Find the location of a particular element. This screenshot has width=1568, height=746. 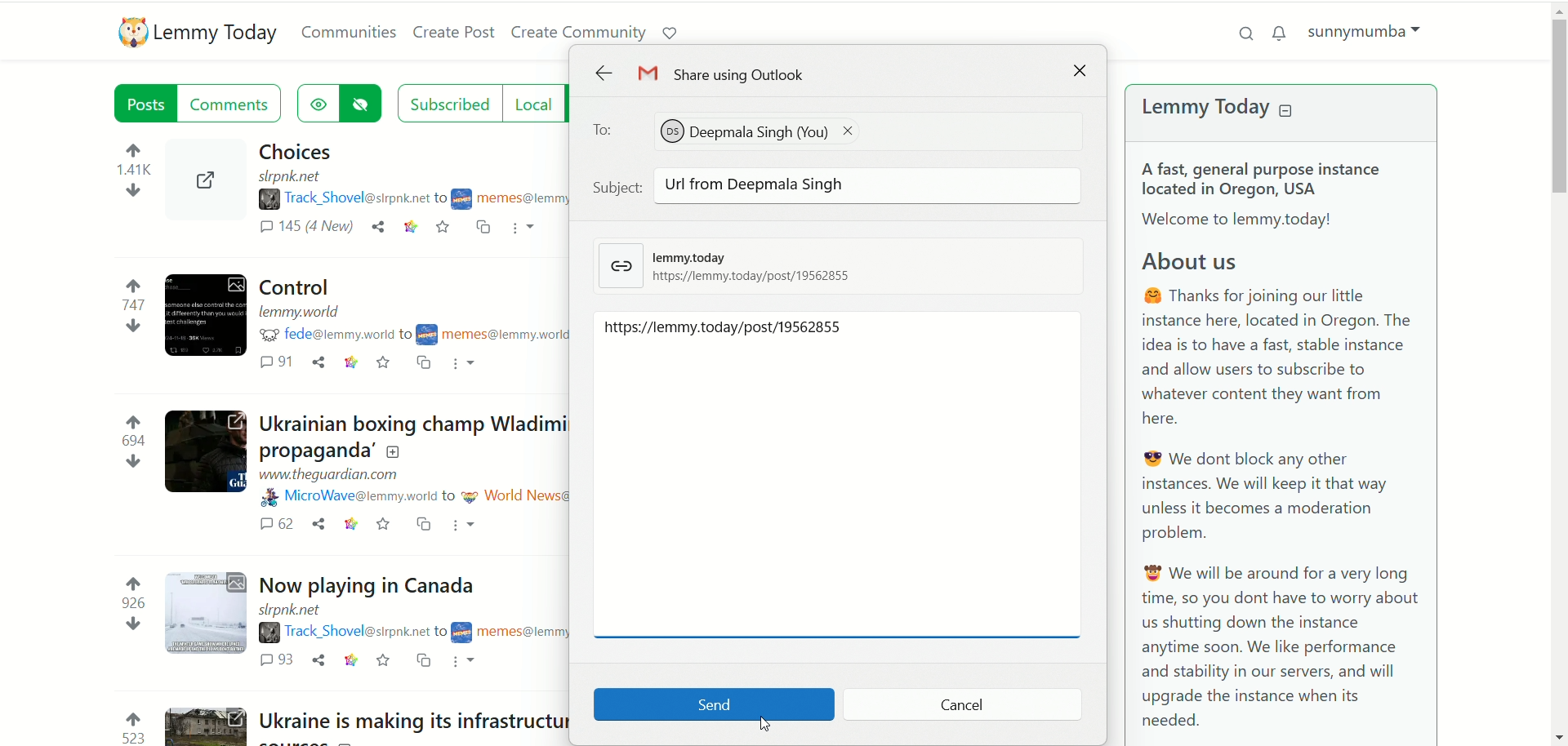

cross post is located at coordinates (424, 524).